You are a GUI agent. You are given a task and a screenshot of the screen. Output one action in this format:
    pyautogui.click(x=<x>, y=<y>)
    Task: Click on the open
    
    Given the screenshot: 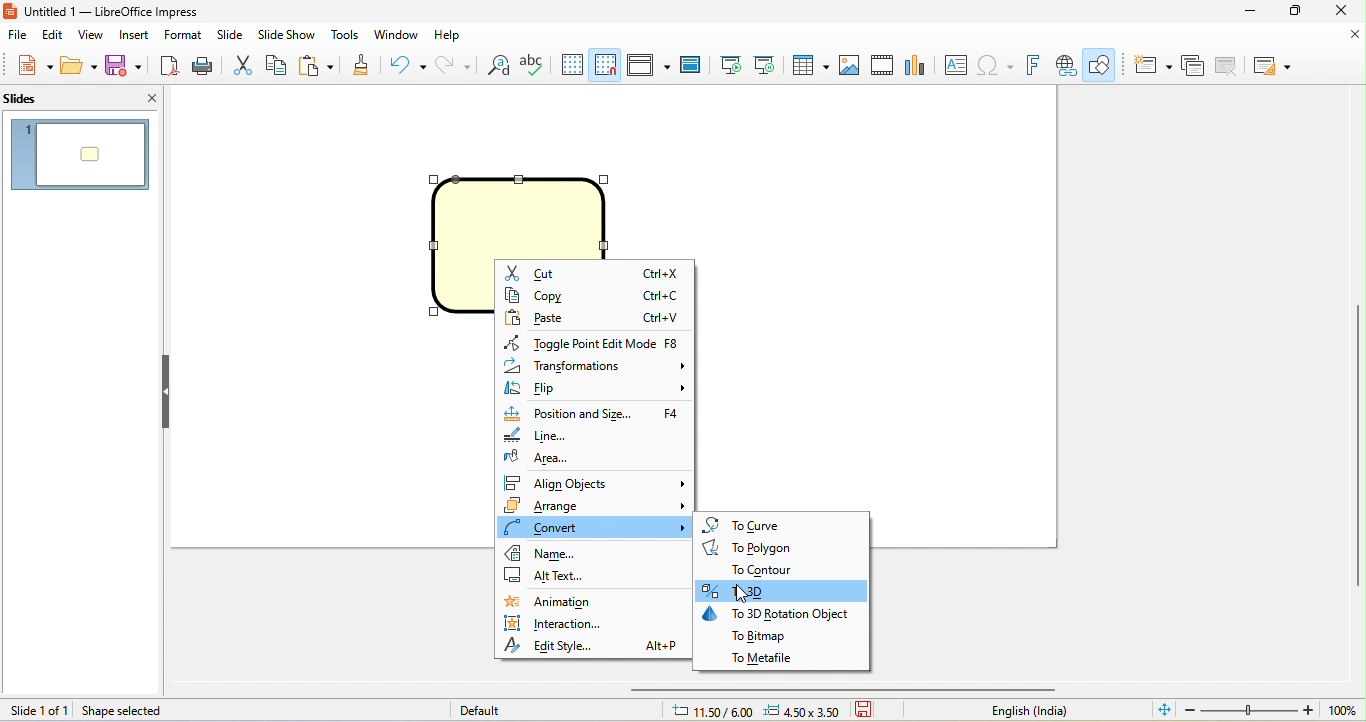 What is the action you would take?
    pyautogui.click(x=77, y=64)
    